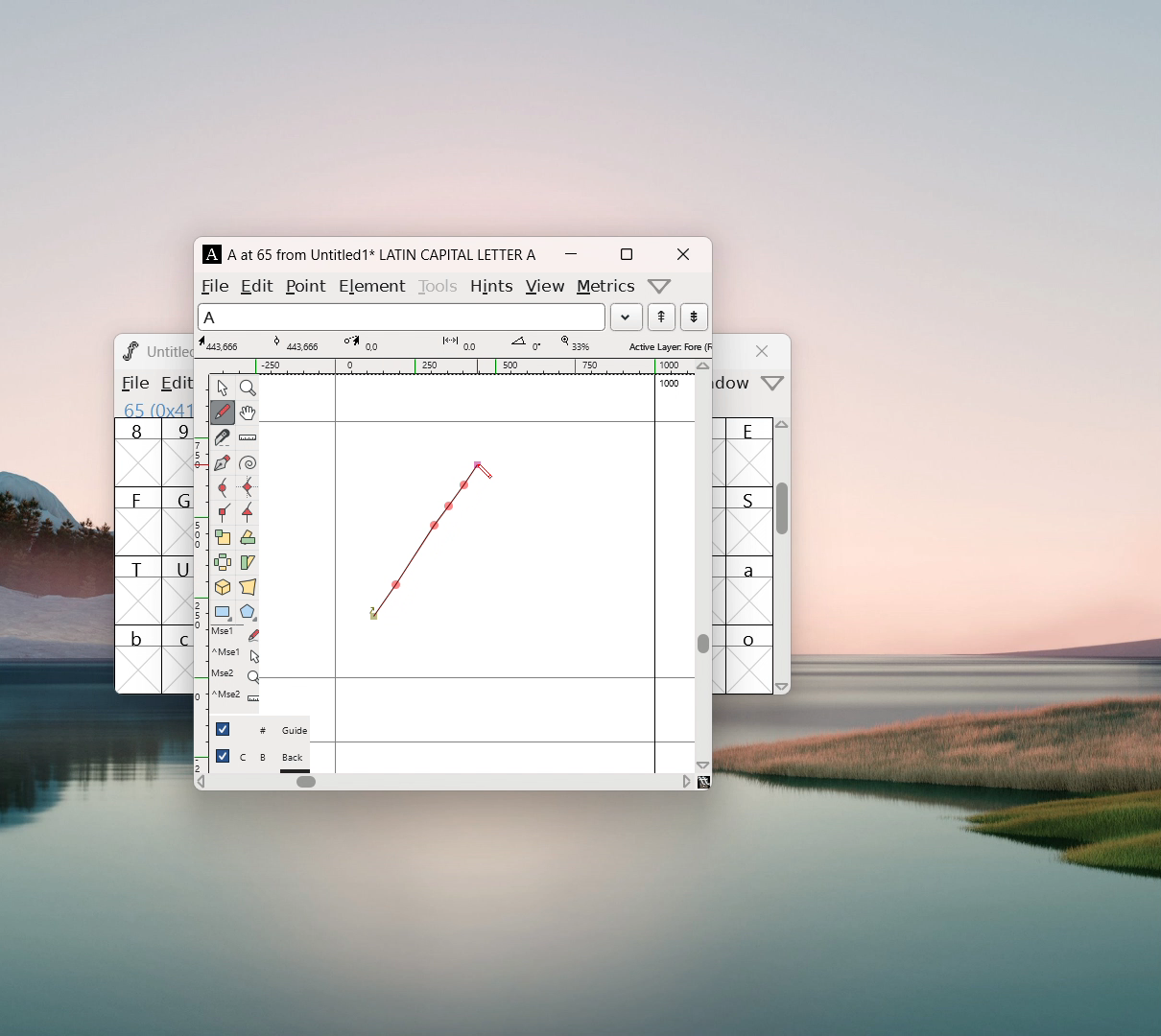 The height and width of the screenshot is (1036, 1161). What do you see at coordinates (170, 351) in the screenshot?
I see `Untitled? Untitled1.sfd (1508859-1)` at bounding box center [170, 351].